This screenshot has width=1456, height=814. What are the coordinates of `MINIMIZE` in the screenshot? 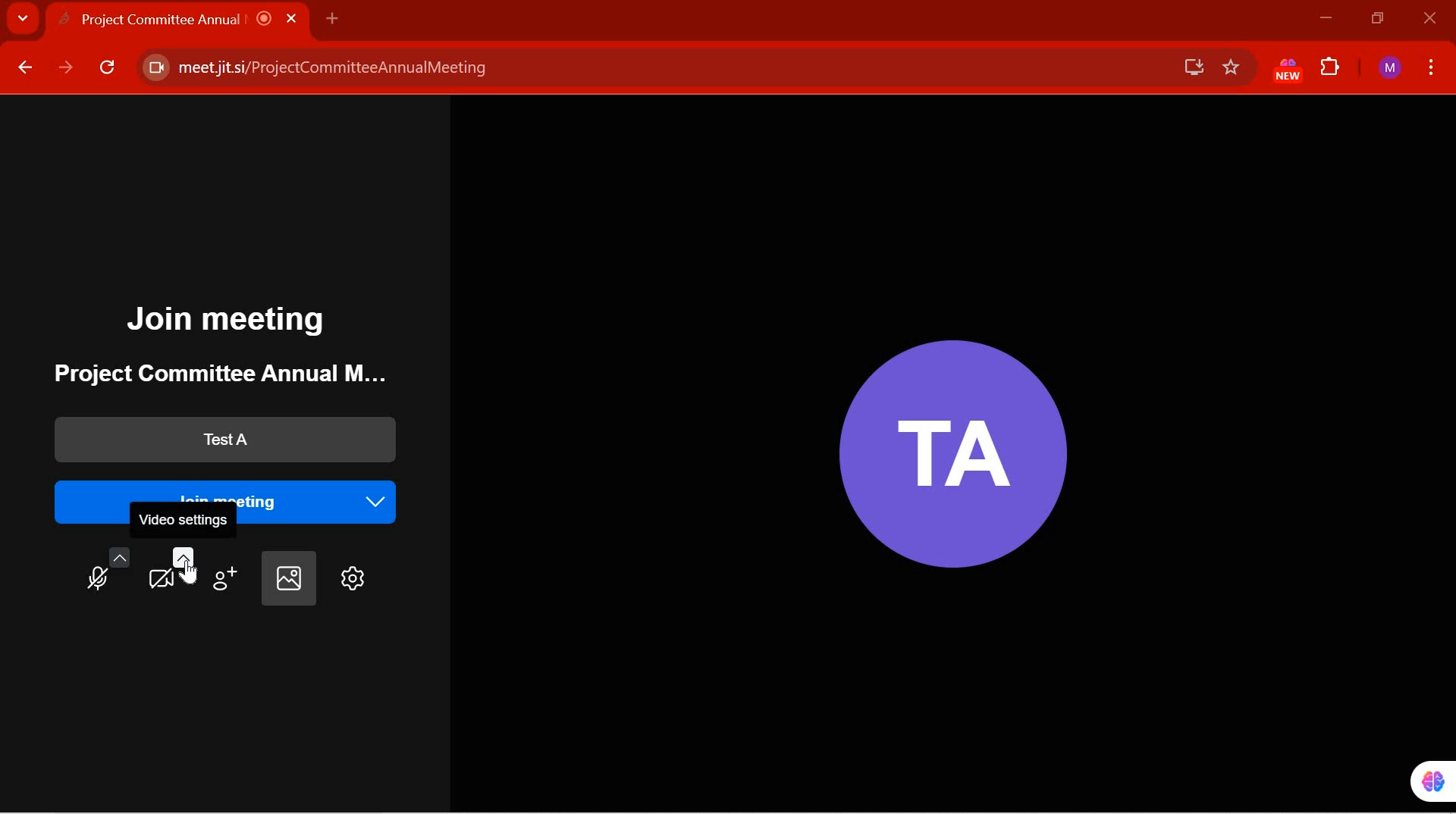 It's located at (1325, 18).